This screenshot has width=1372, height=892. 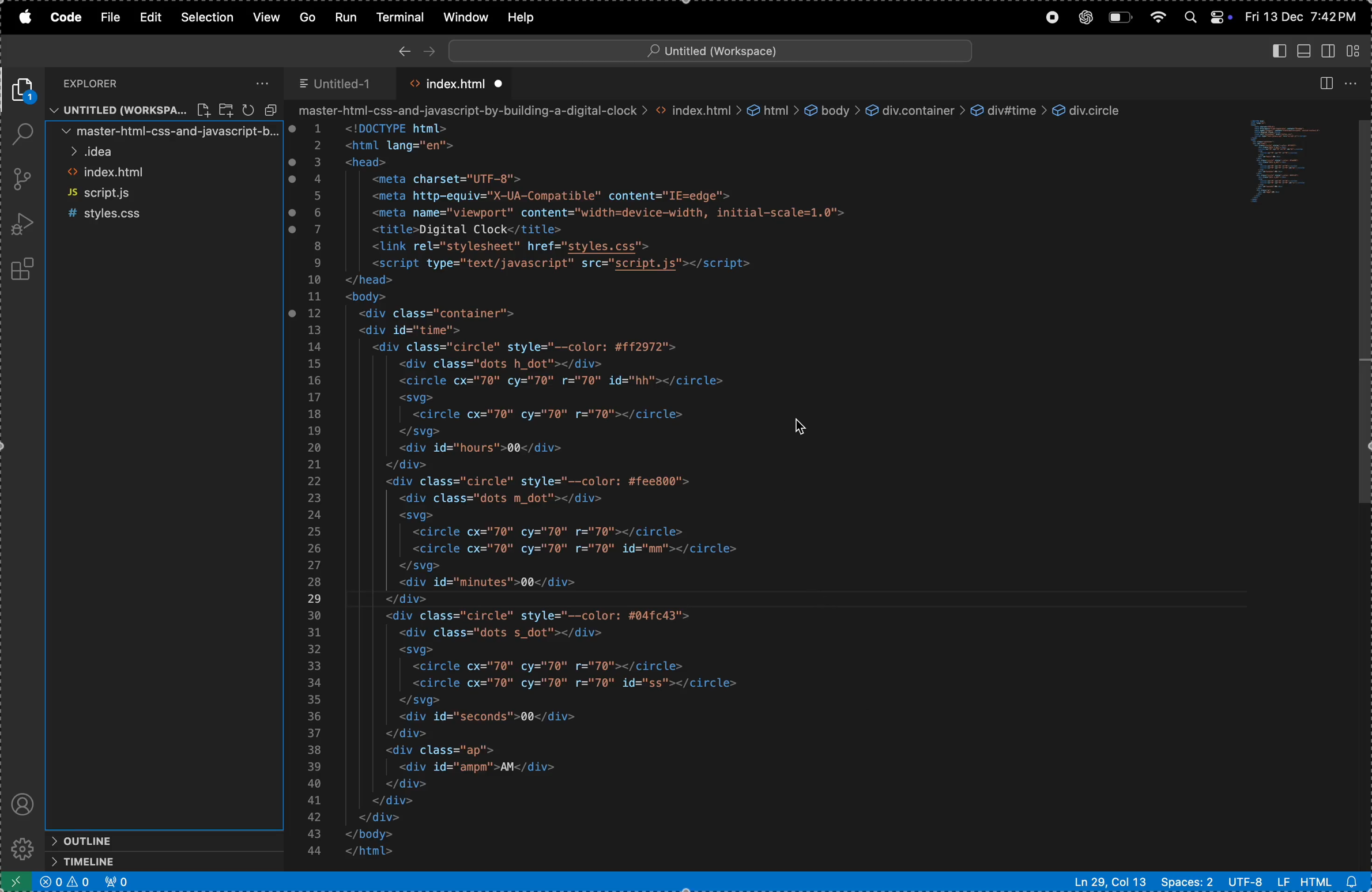 I want to click on apple menu, so click(x=29, y=18).